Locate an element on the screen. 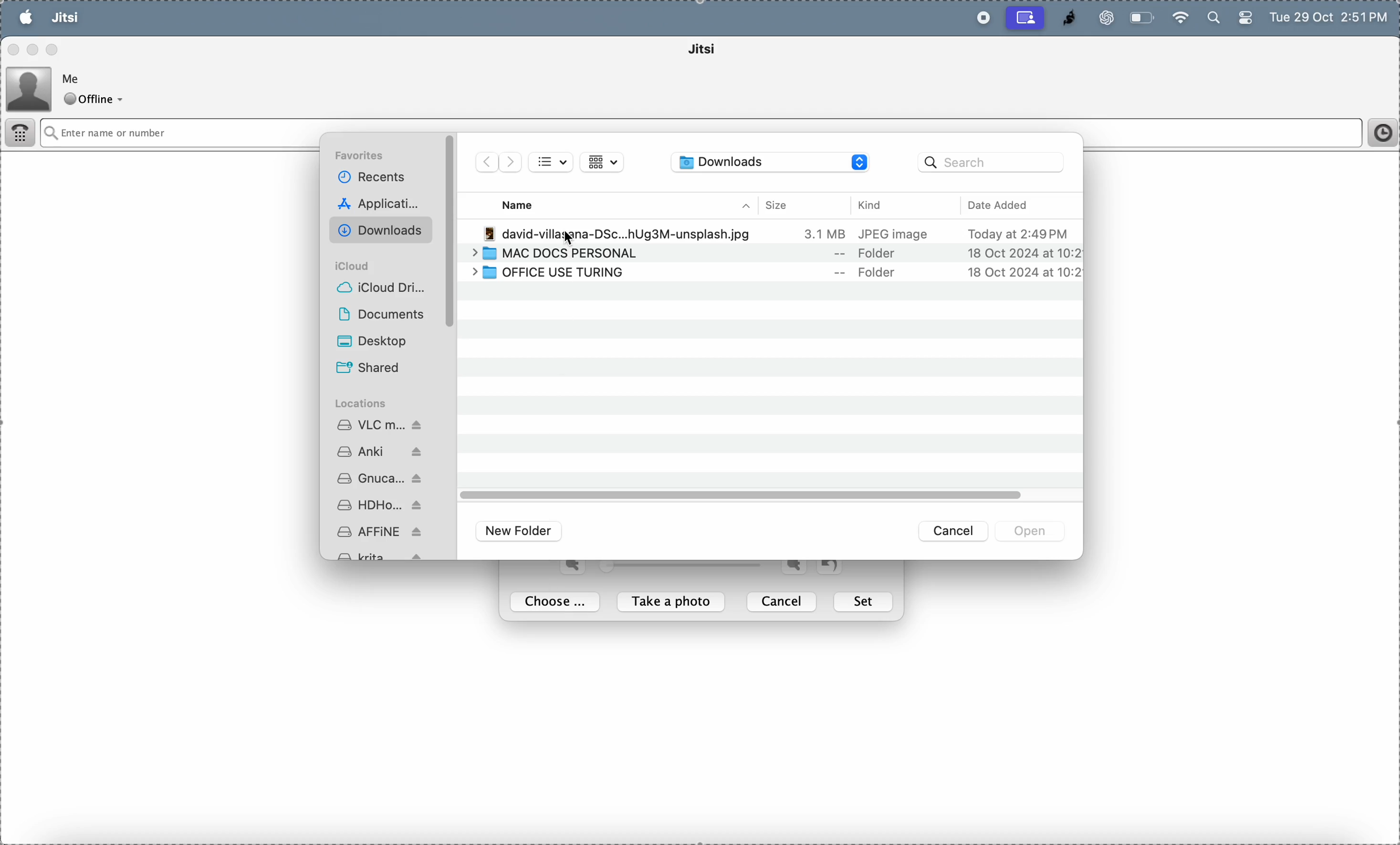 The width and height of the screenshot is (1400, 845). help is located at coordinates (205, 18).